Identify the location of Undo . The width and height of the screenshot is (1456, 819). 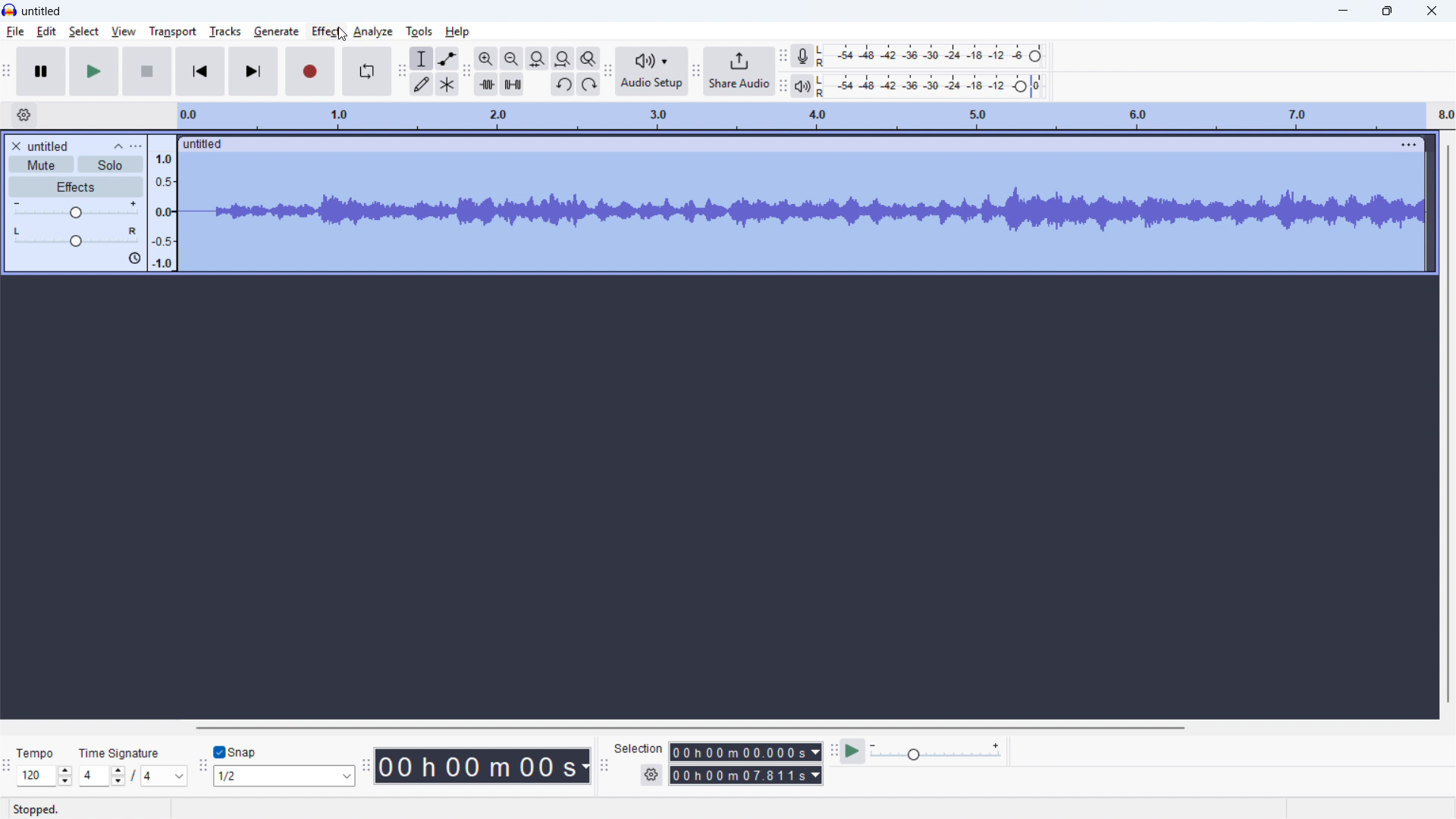
(563, 85).